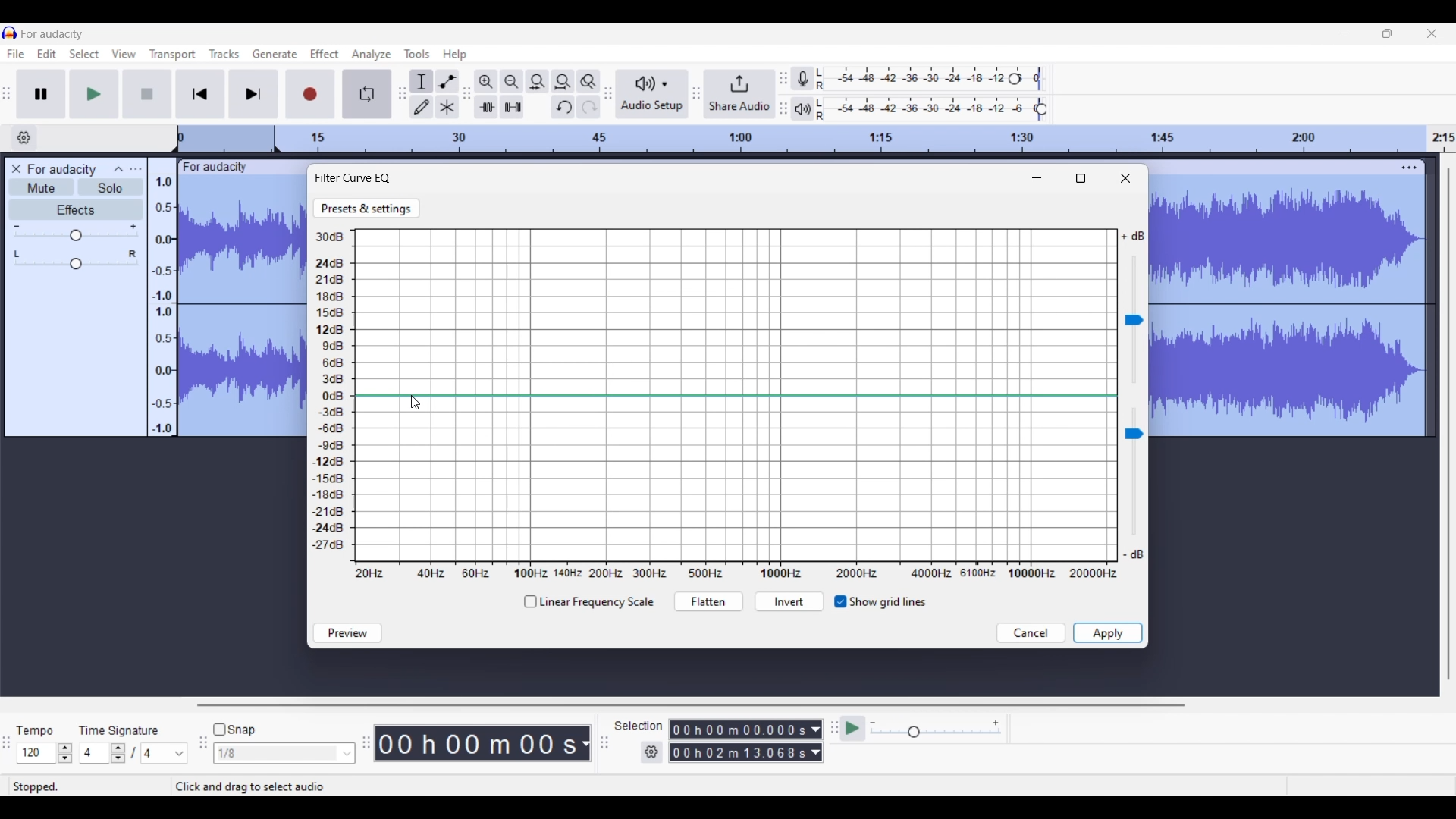 The width and height of the screenshot is (1456, 819). What do you see at coordinates (789, 603) in the screenshot?
I see `Invert` at bounding box center [789, 603].